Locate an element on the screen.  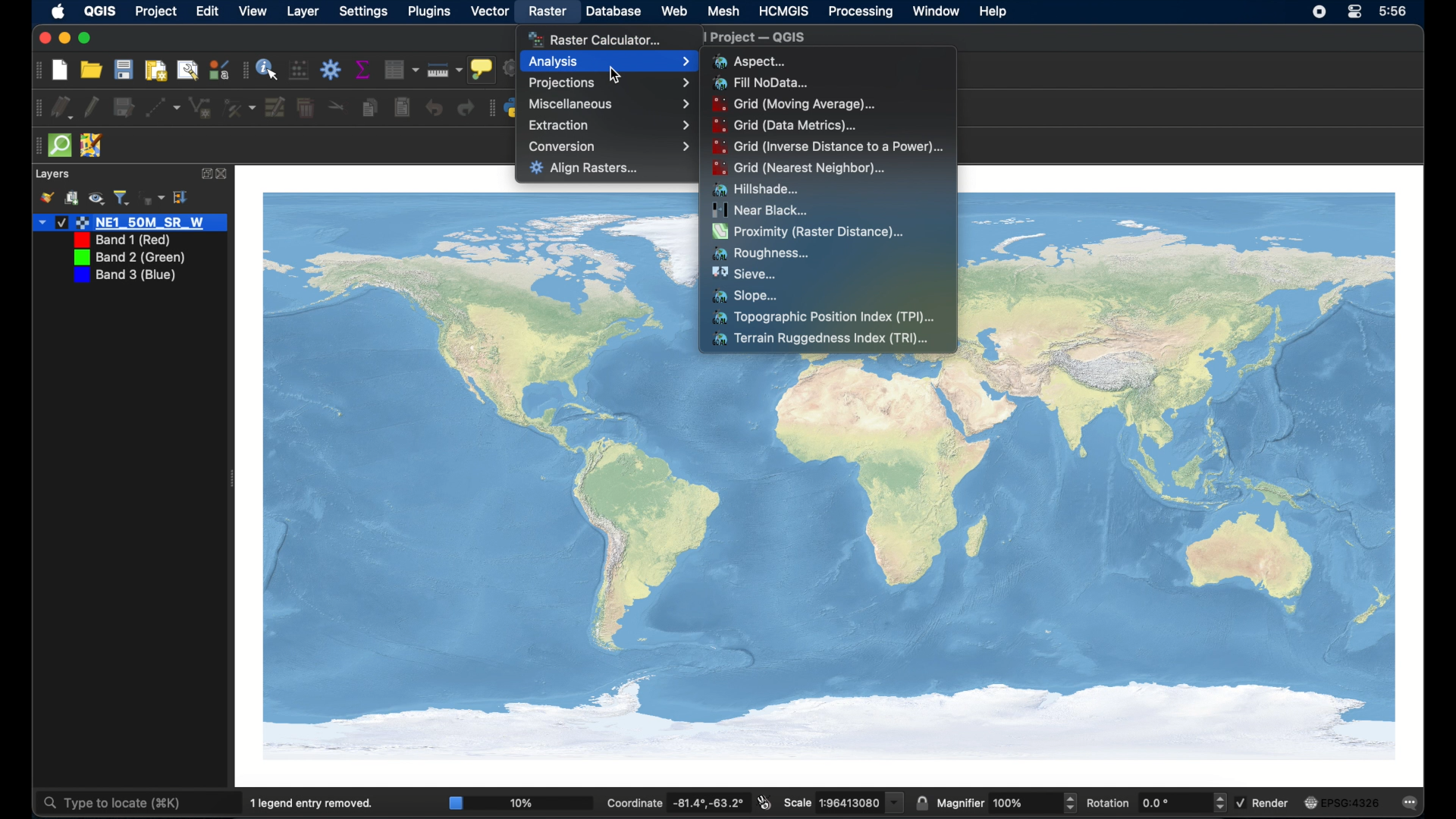
web is located at coordinates (675, 11).